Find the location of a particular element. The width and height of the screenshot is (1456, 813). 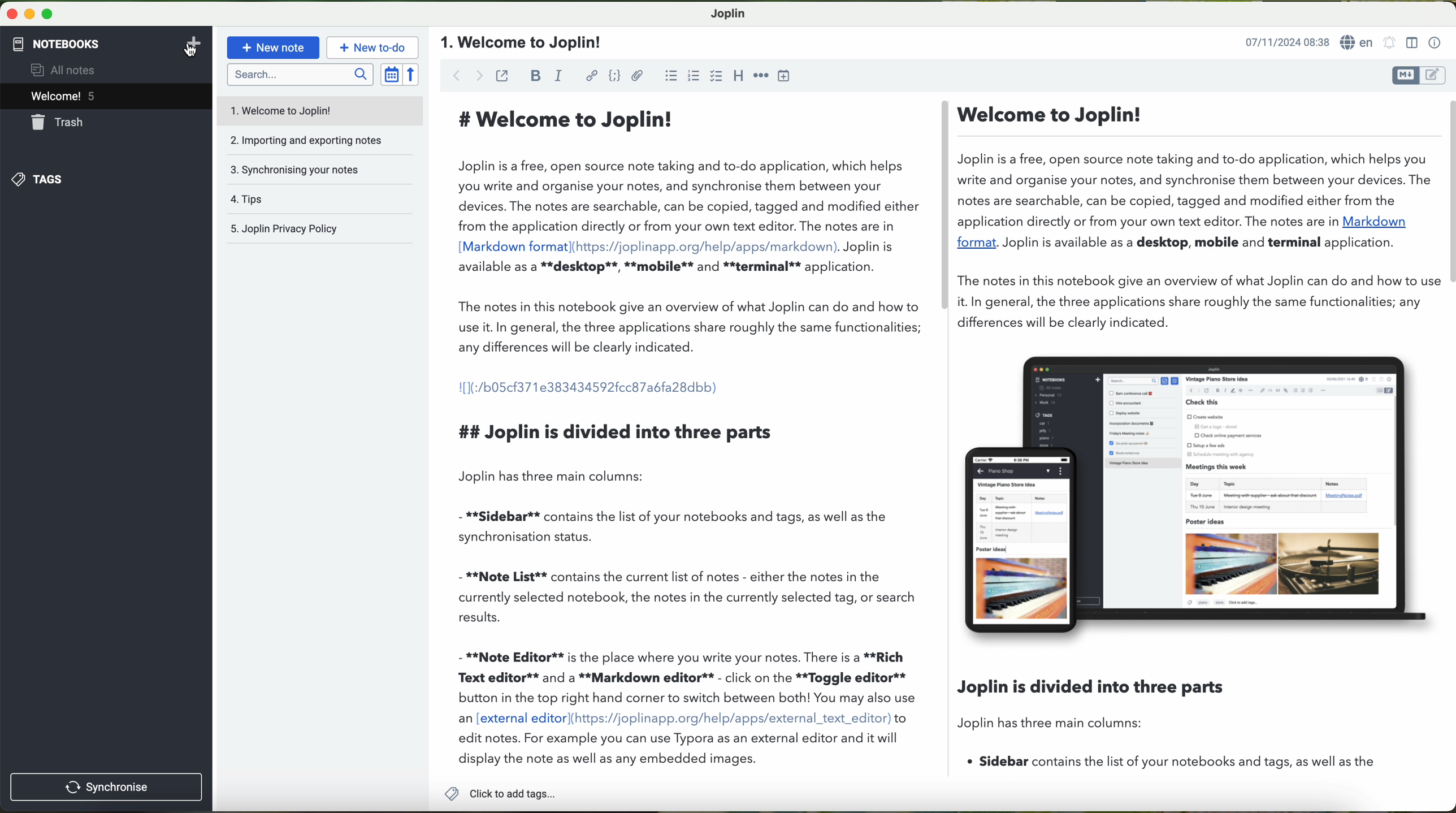

language is located at coordinates (1357, 44).